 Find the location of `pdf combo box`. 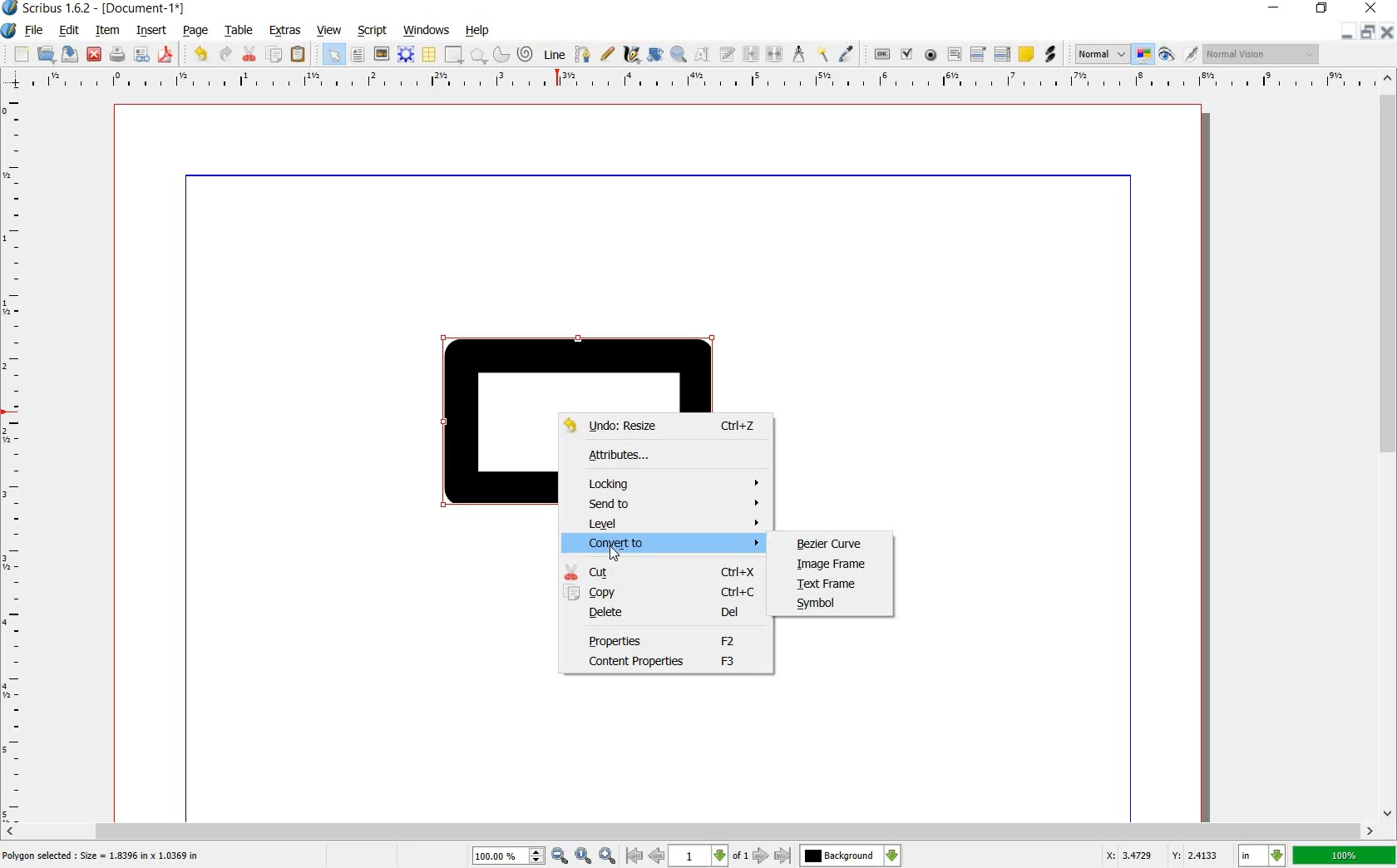

pdf combo box is located at coordinates (978, 55).